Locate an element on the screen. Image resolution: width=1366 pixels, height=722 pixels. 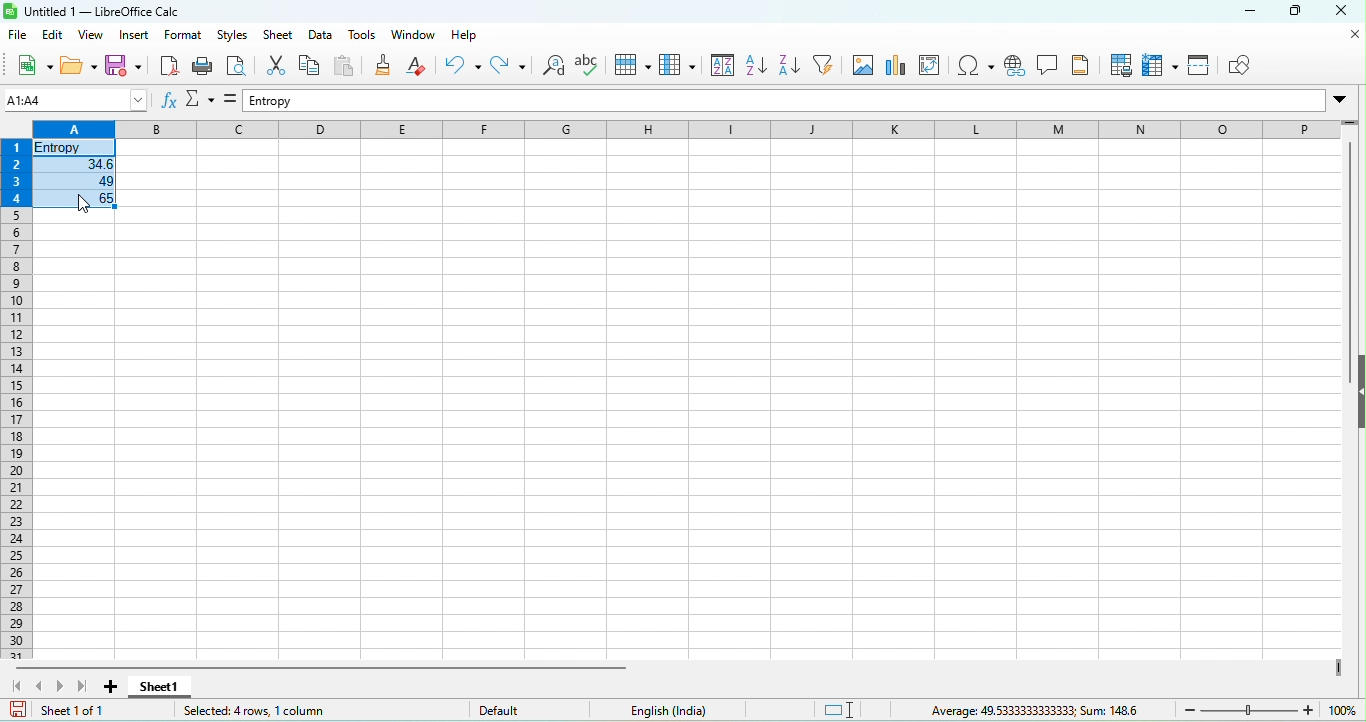
column is located at coordinates (674, 65).